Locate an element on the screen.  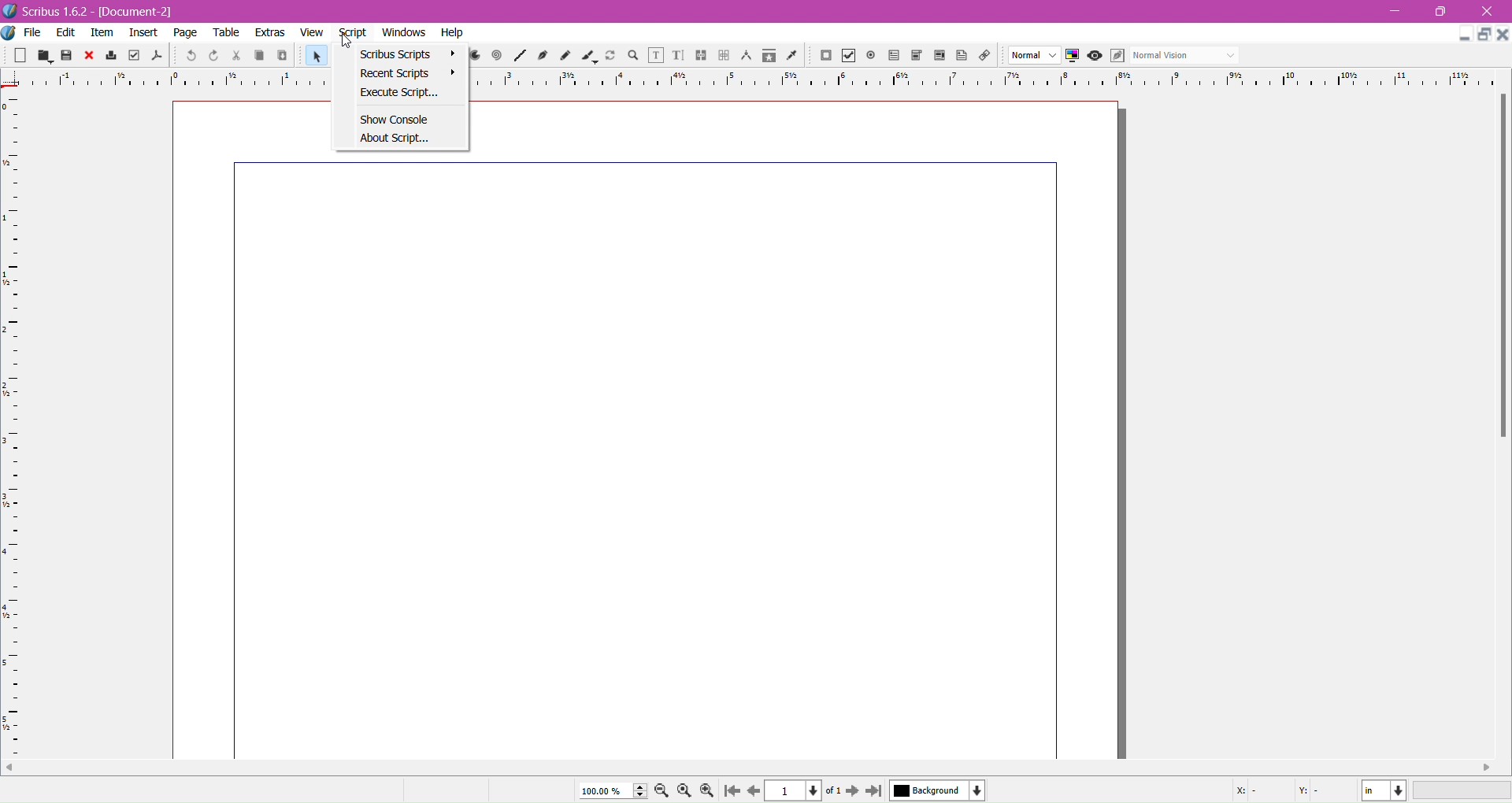
Select the image preview quality is located at coordinates (1032, 56).